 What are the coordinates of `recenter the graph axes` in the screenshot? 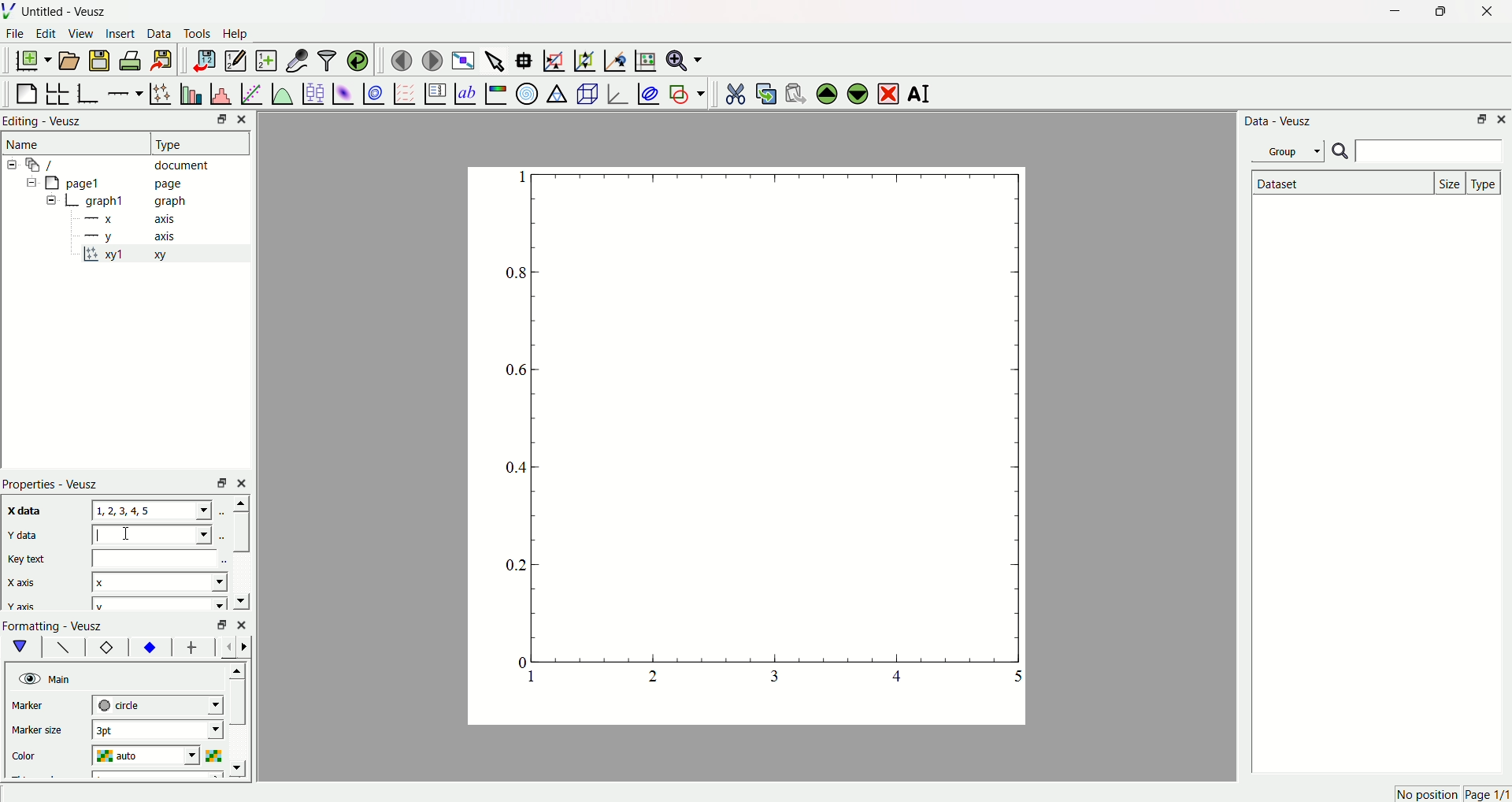 It's located at (612, 57).